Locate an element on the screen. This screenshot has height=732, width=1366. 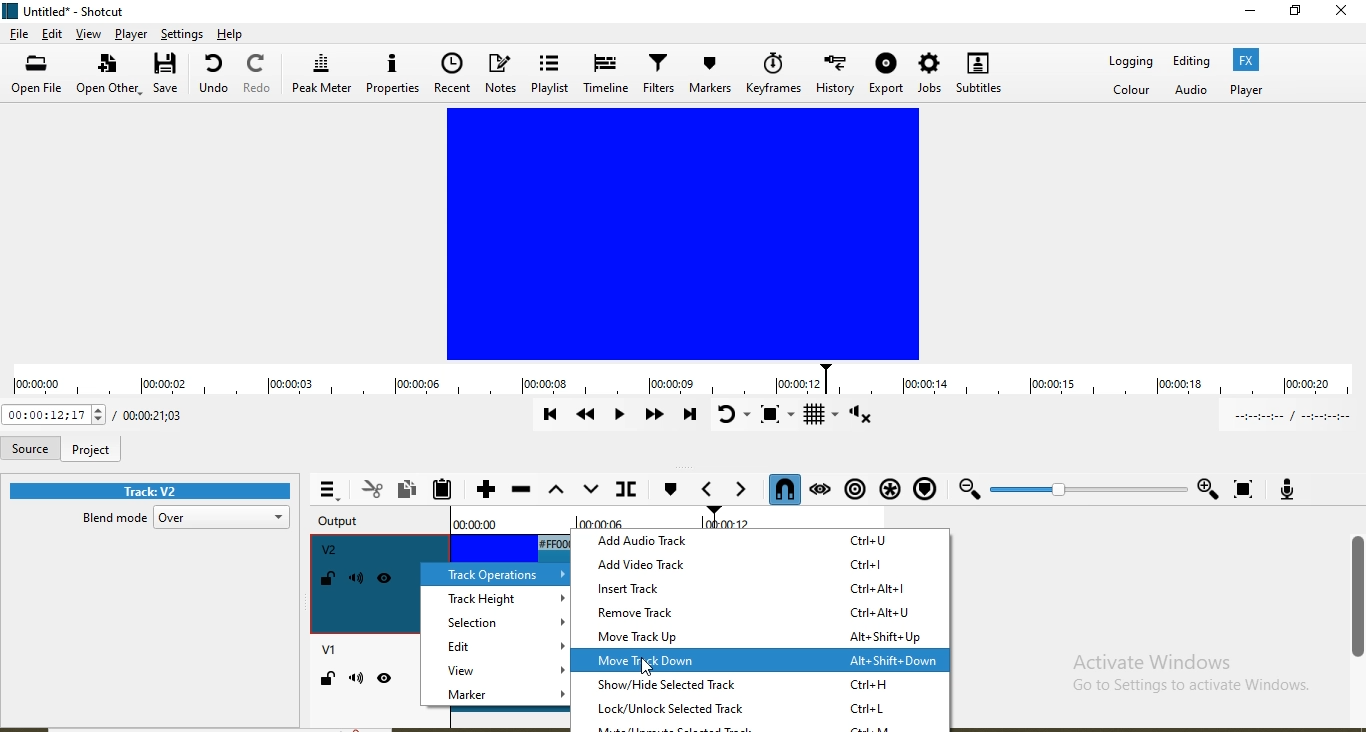
Record audio is located at coordinates (1288, 488).